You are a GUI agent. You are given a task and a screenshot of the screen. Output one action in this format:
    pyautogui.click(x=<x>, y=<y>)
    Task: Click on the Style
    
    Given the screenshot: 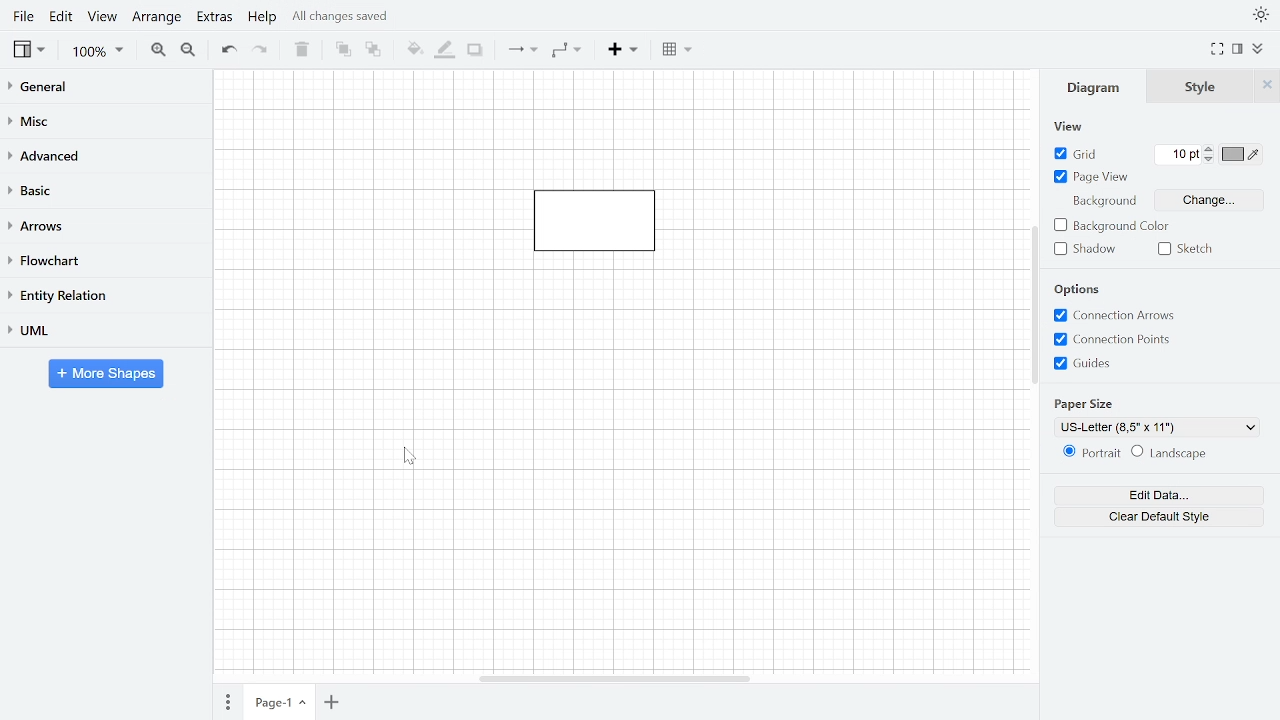 What is the action you would take?
    pyautogui.click(x=1199, y=86)
    